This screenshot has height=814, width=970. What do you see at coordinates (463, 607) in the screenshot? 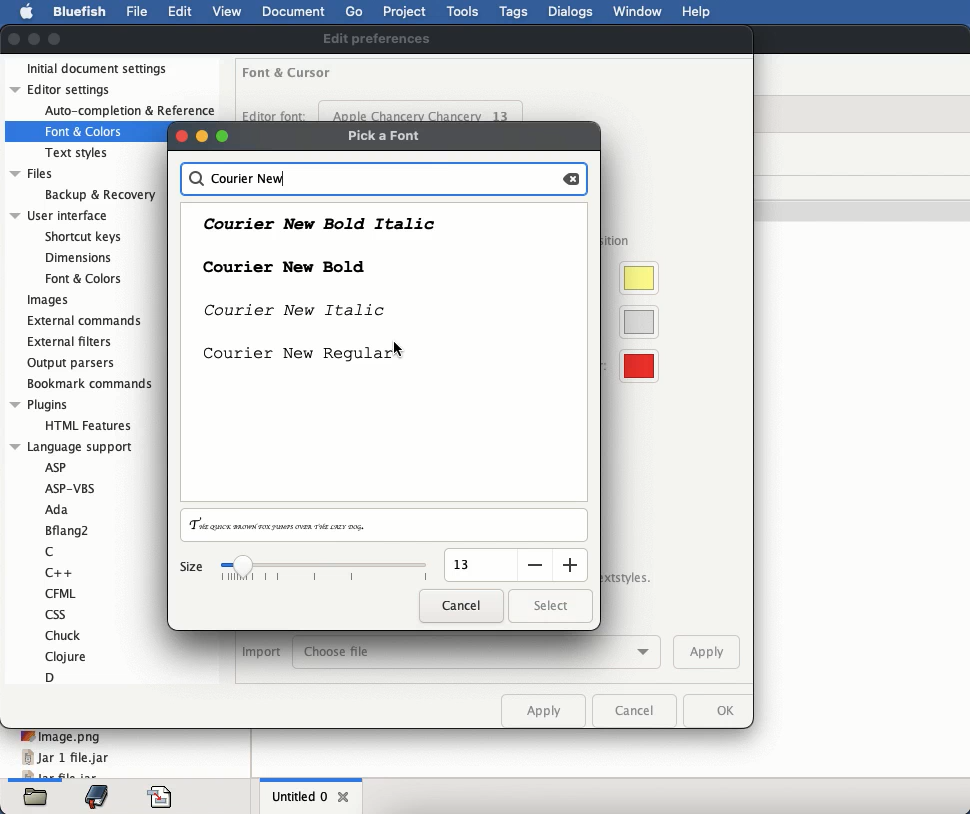
I see `cancel` at bounding box center [463, 607].